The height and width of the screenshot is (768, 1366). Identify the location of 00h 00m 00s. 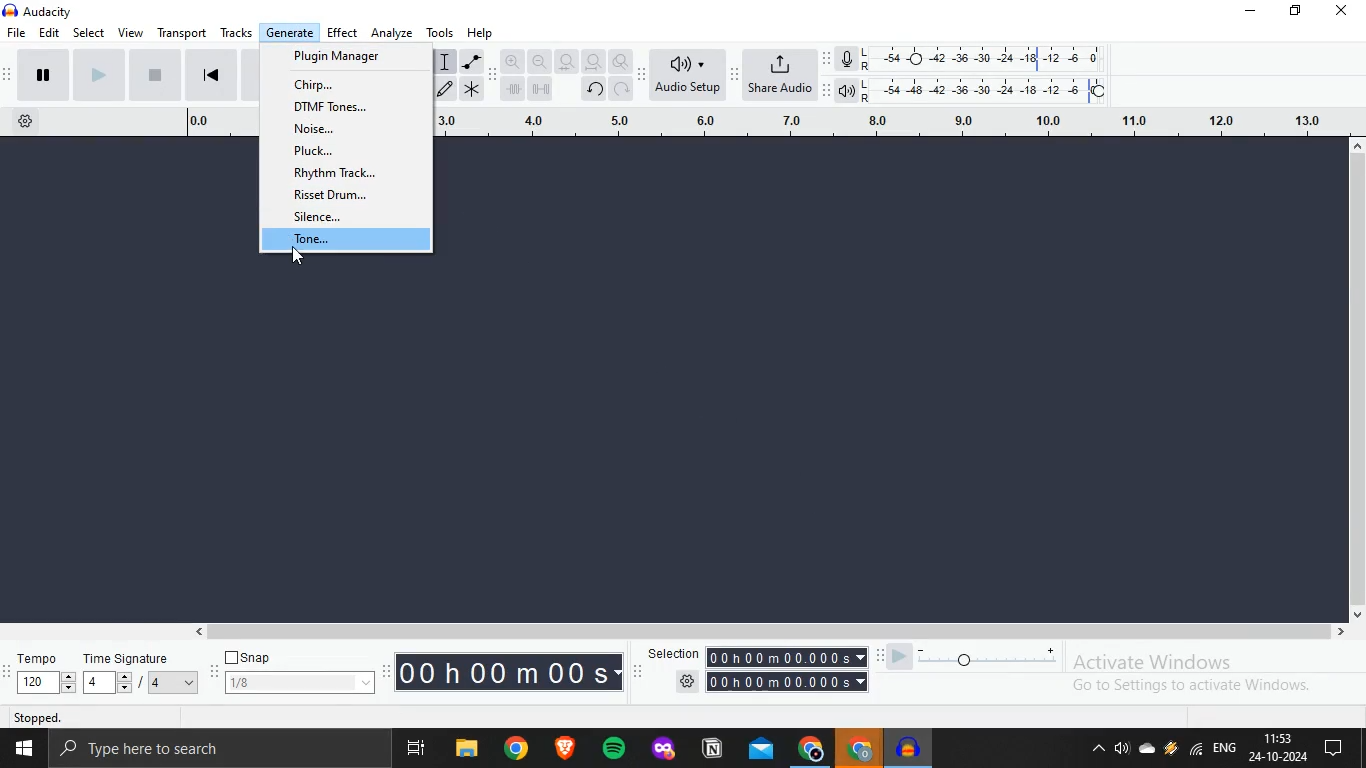
(509, 671).